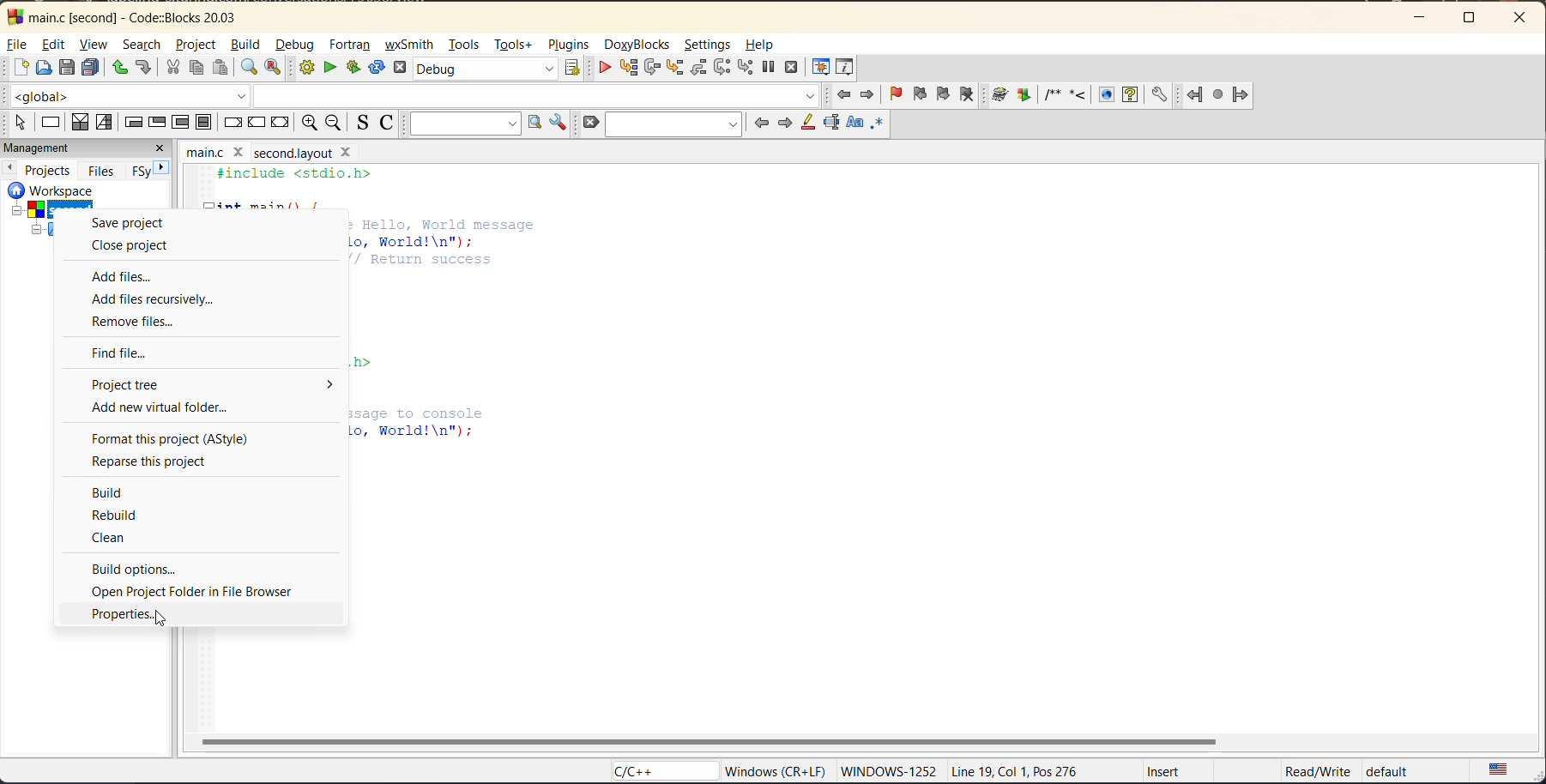 The height and width of the screenshot is (784, 1546). I want to click on build options, so click(147, 570).